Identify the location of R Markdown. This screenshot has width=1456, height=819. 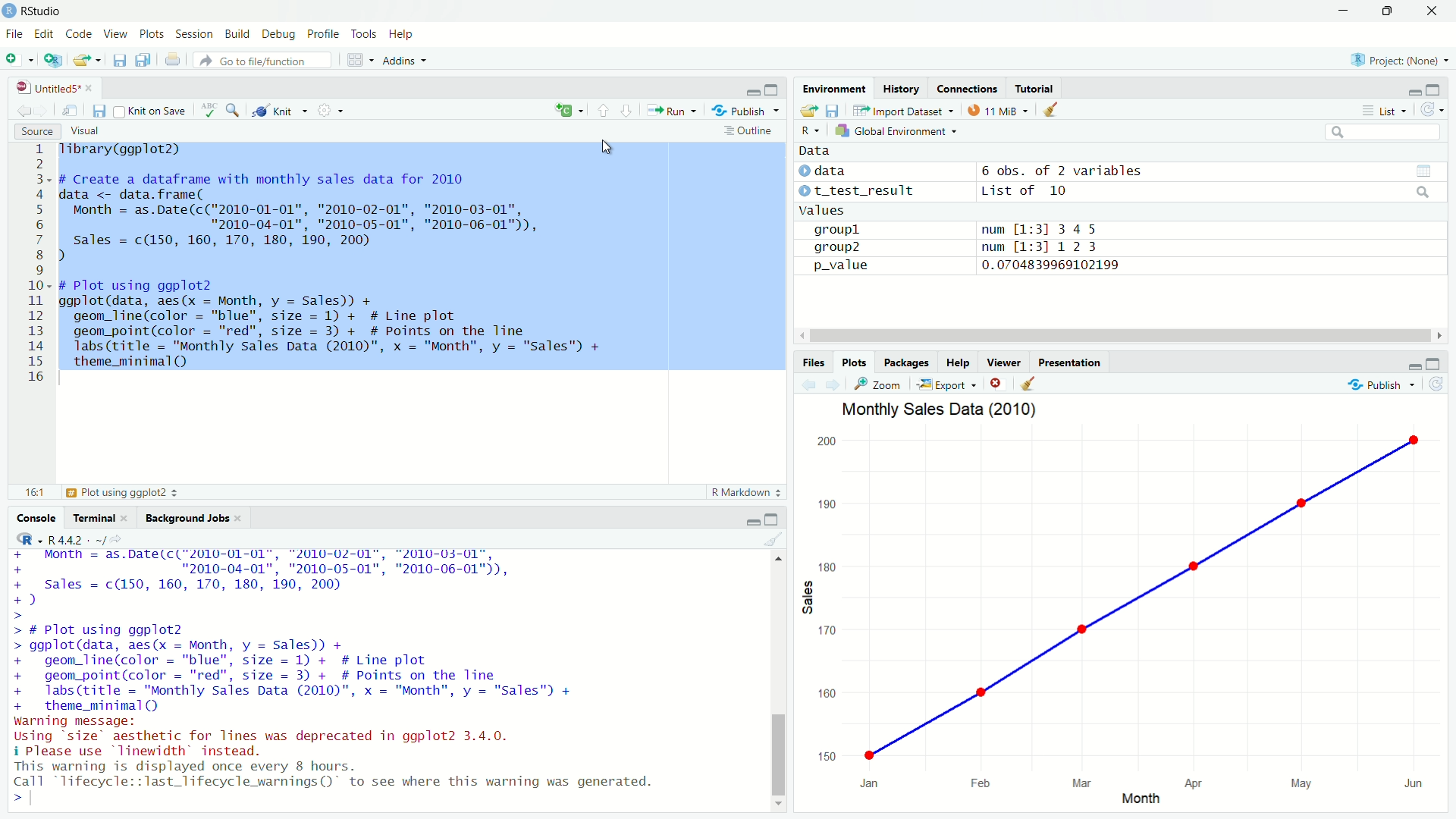
(746, 491).